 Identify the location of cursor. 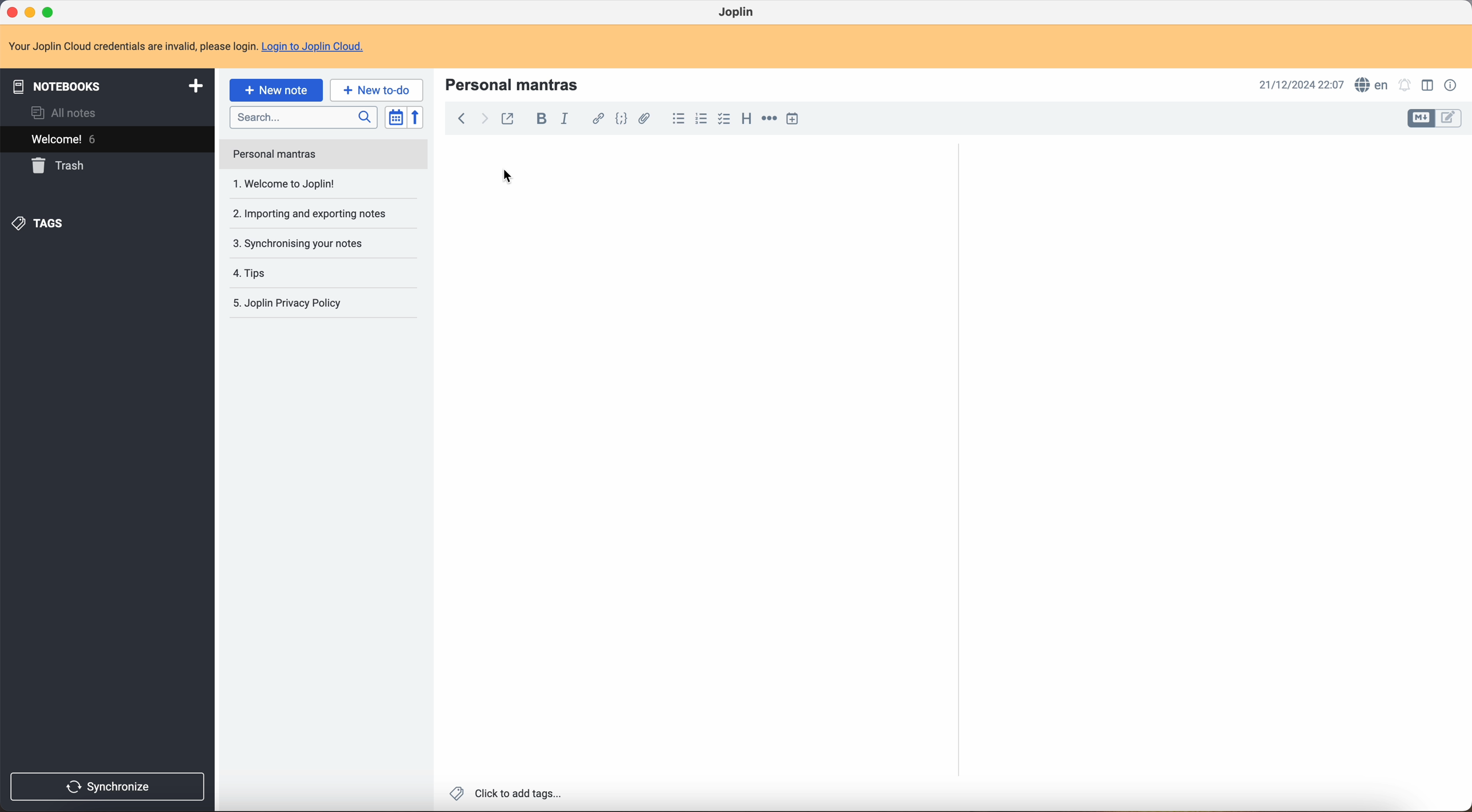
(509, 175).